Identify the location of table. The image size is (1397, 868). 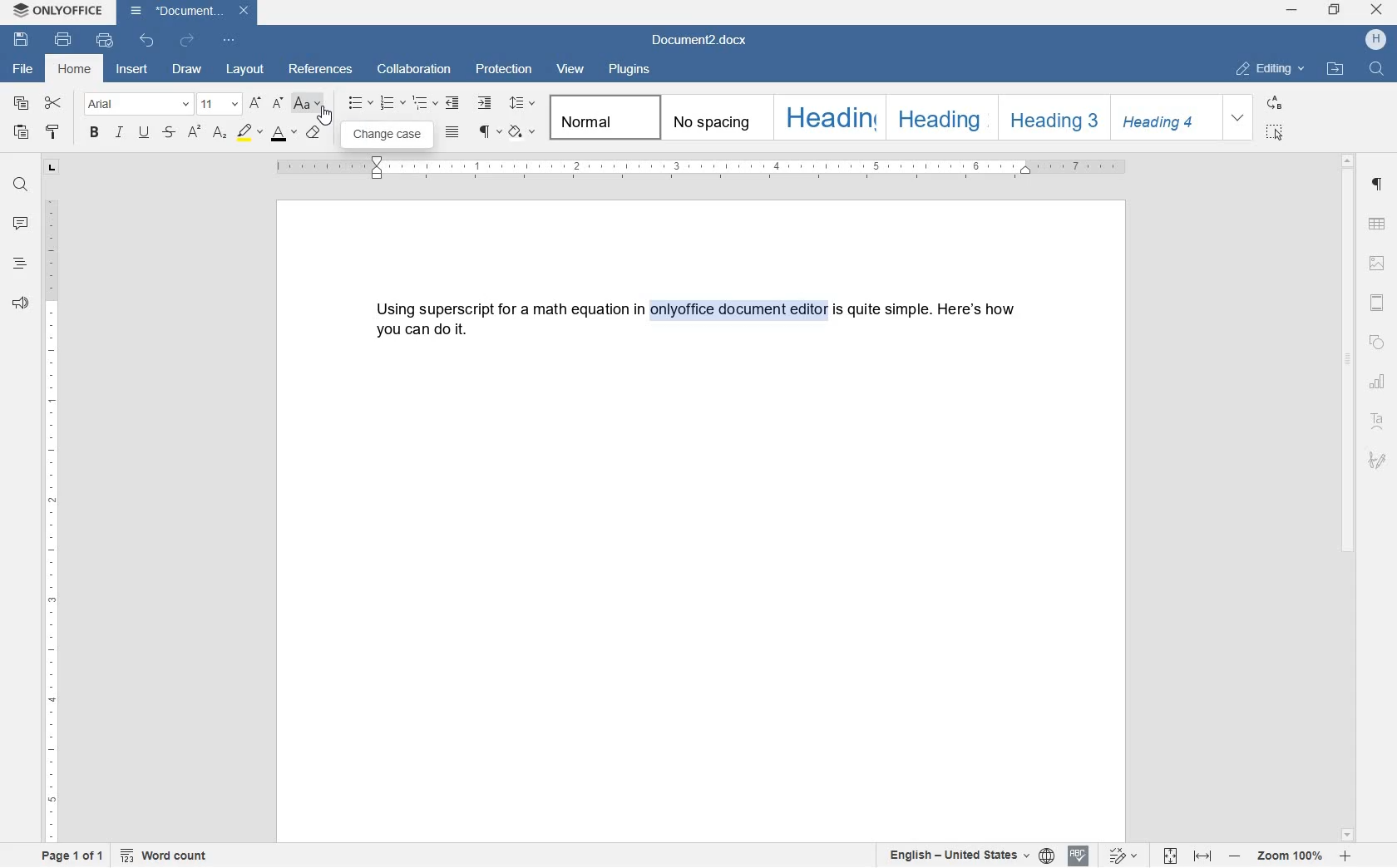
(1378, 224).